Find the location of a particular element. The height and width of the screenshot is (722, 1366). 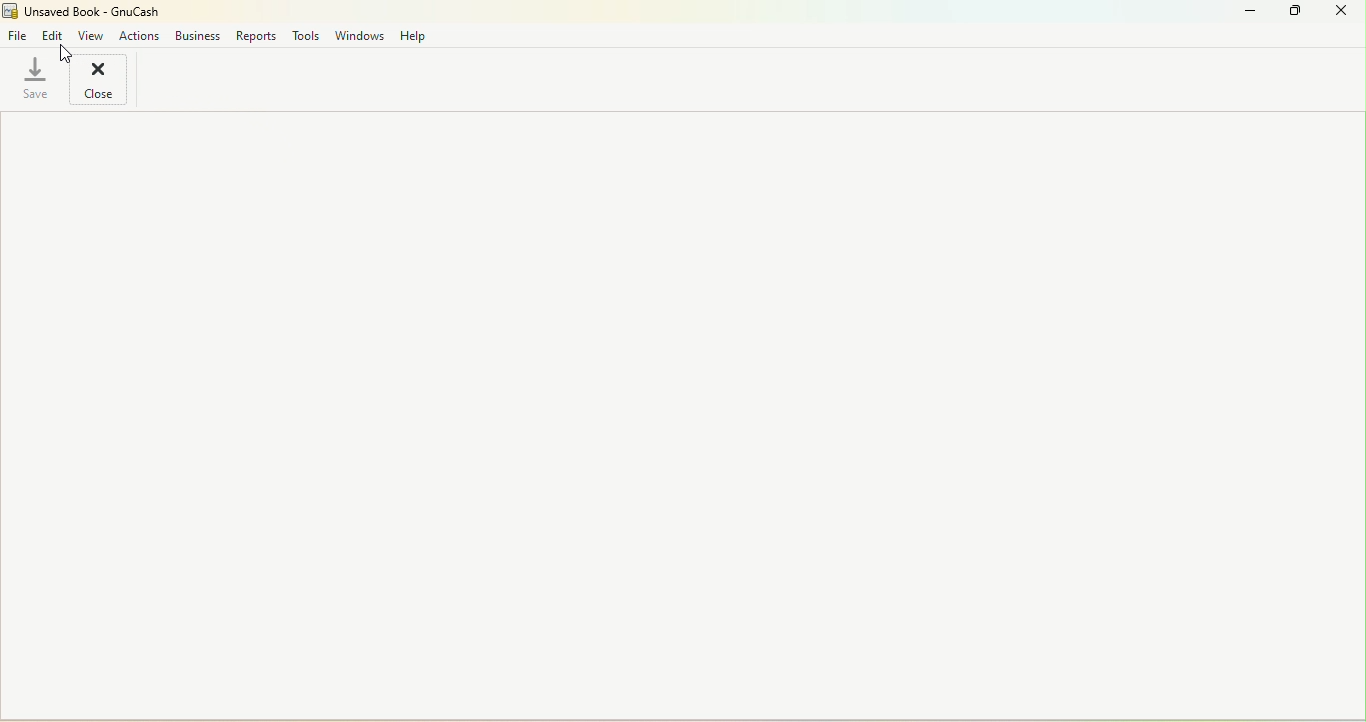

File is located at coordinates (17, 34).